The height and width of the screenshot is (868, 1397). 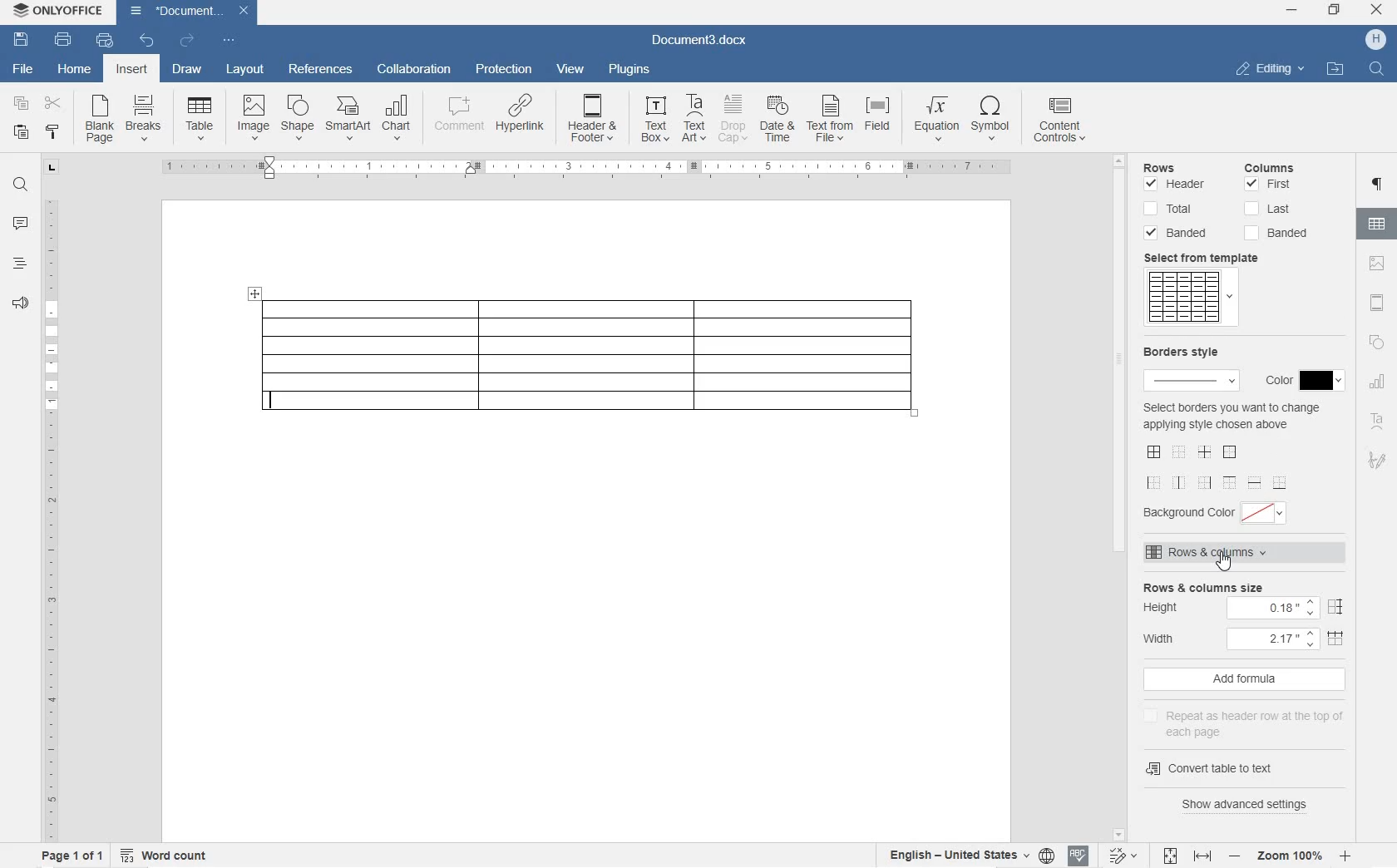 What do you see at coordinates (146, 119) in the screenshot?
I see `BREAKS` at bounding box center [146, 119].